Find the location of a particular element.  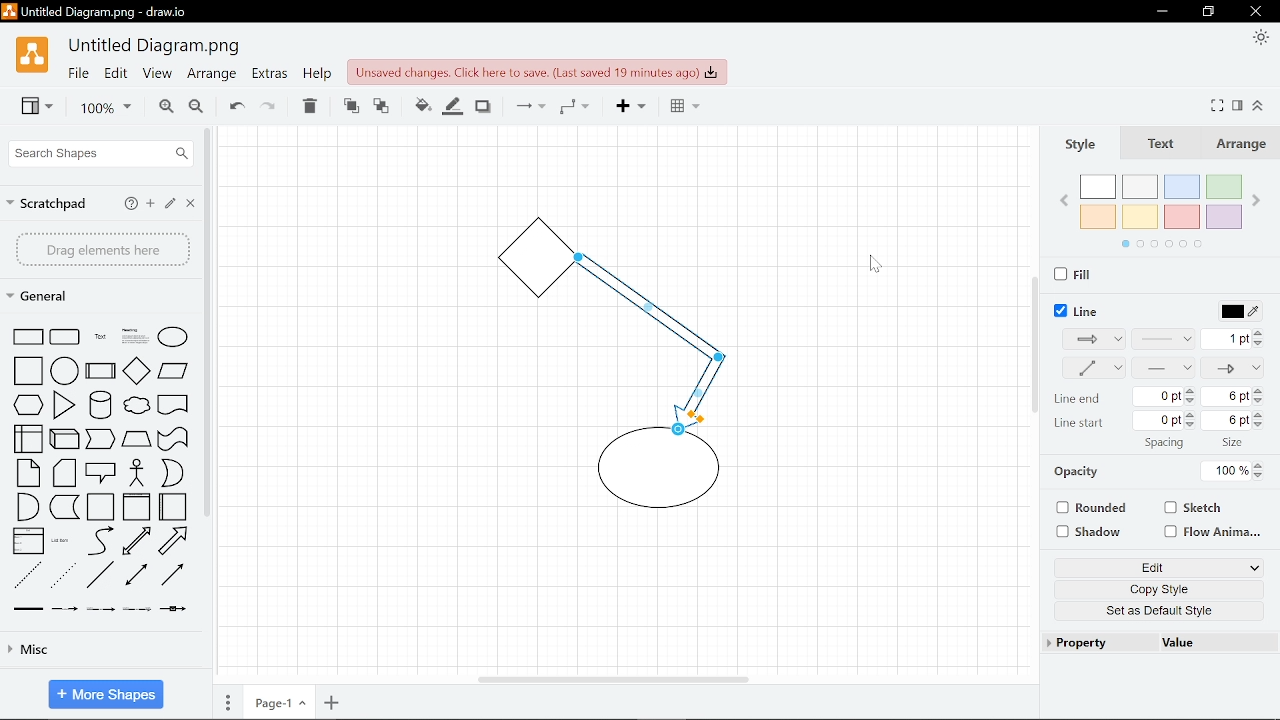

shape is located at coordinates (65, 337).